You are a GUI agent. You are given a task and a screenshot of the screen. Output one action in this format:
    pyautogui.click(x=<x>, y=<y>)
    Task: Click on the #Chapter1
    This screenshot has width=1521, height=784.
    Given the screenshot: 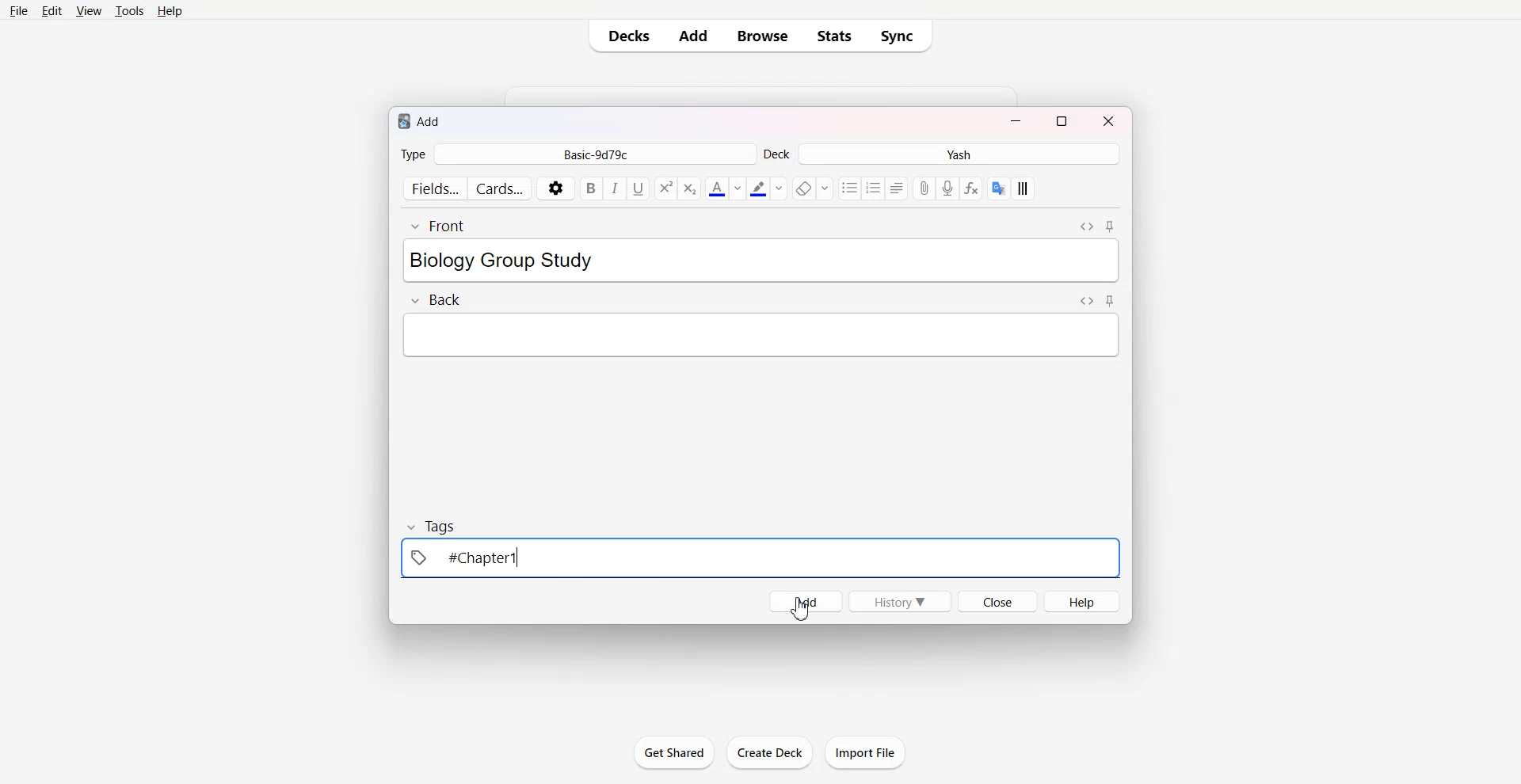 What is the action you would take?
    pyautogui.click(x=467, y=558)
    